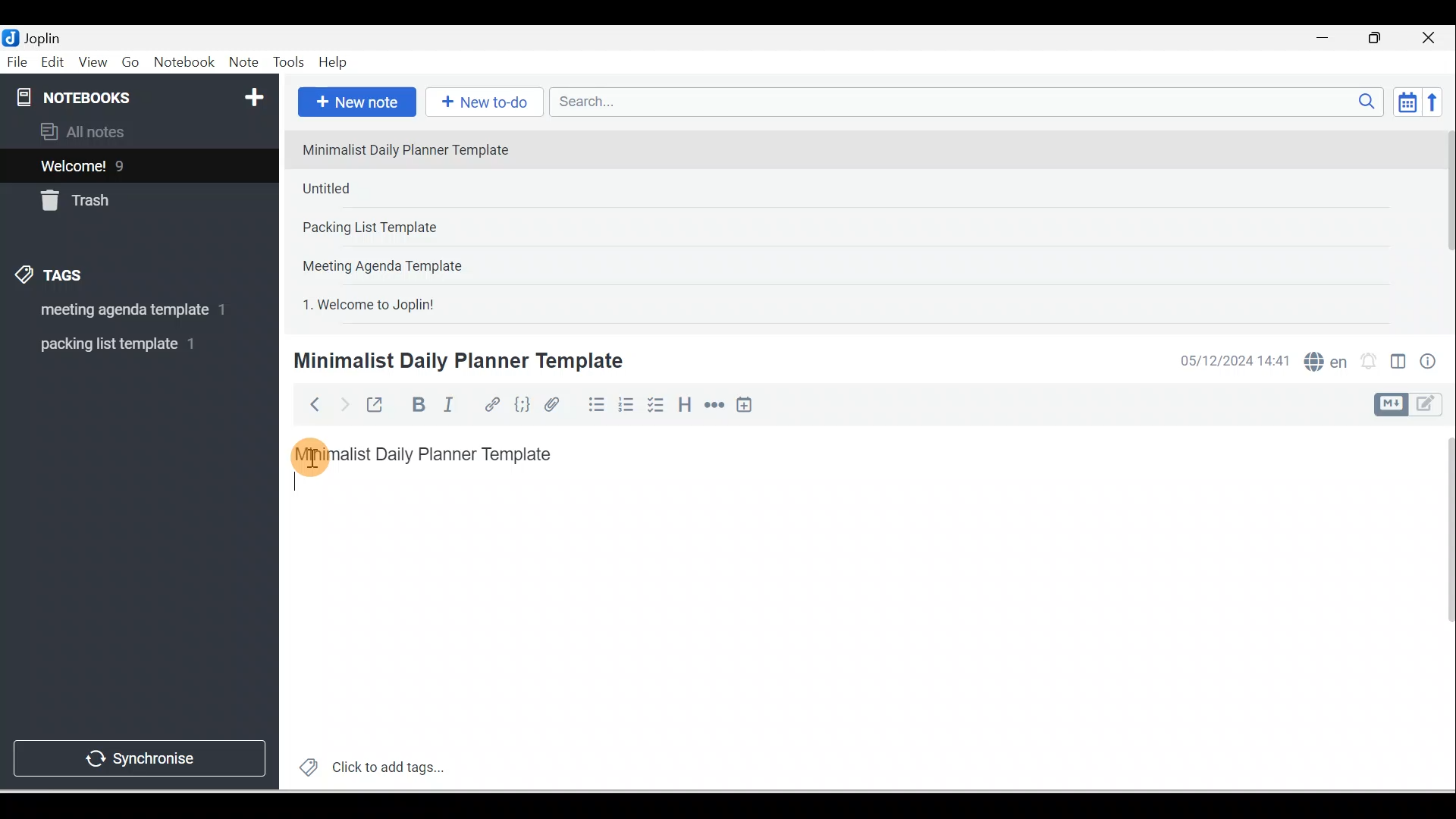  Describe the element at coordinates (416, 149) in the screenshot. I see `Note 1` at that location.